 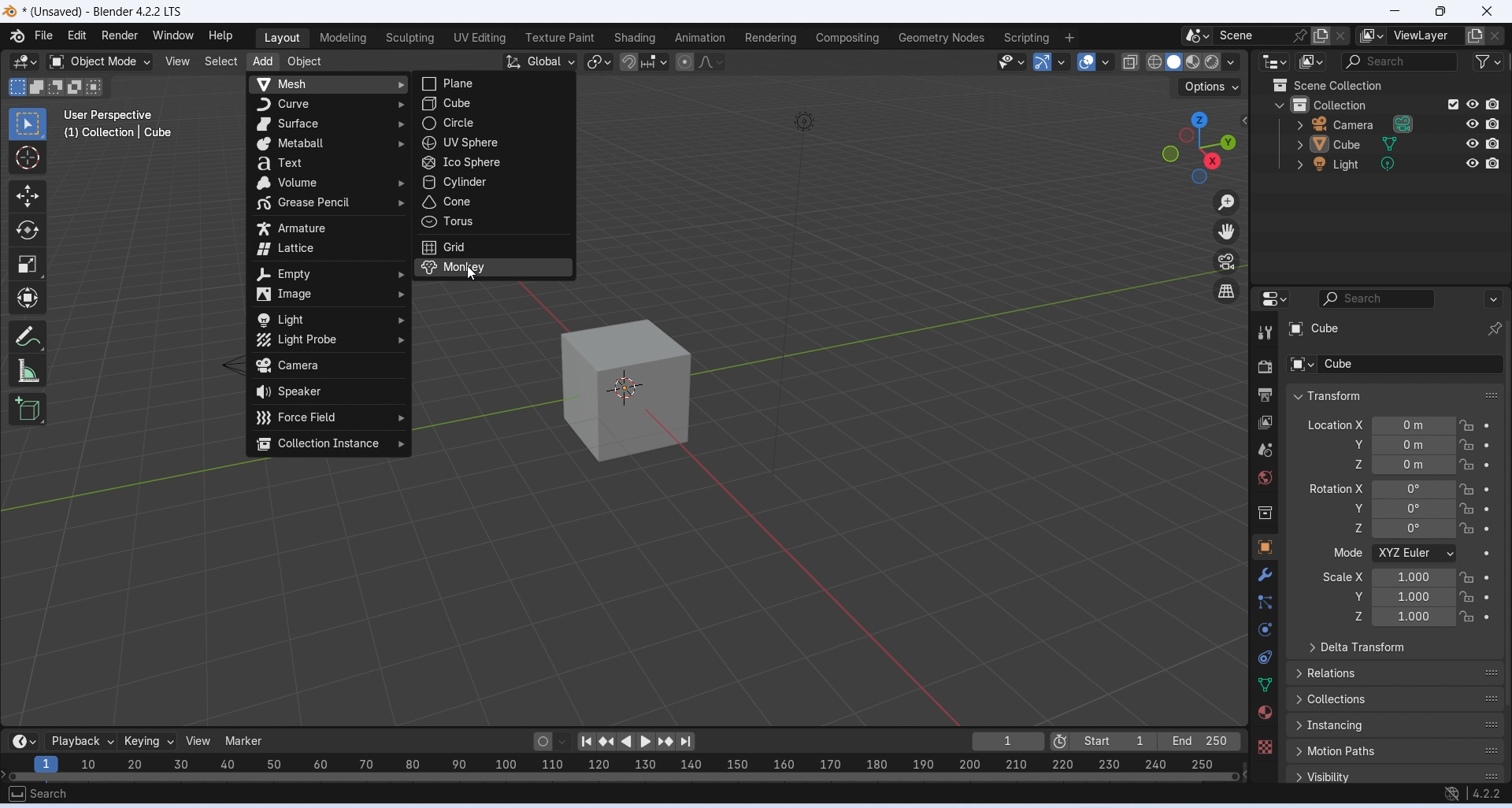 I want to click on playback, so click(x=80, y=741).